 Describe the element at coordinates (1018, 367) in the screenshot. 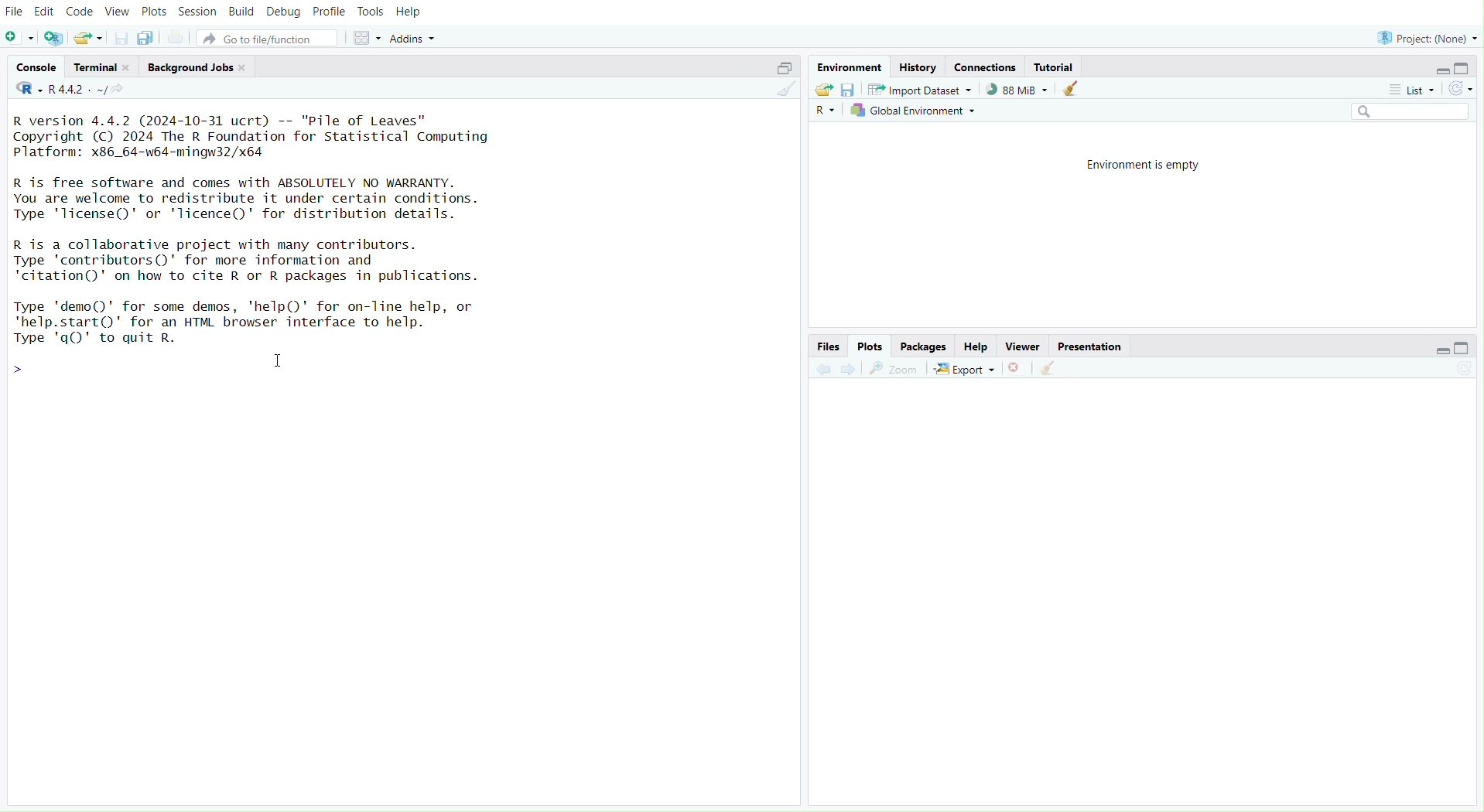

I see `Close` at that location.